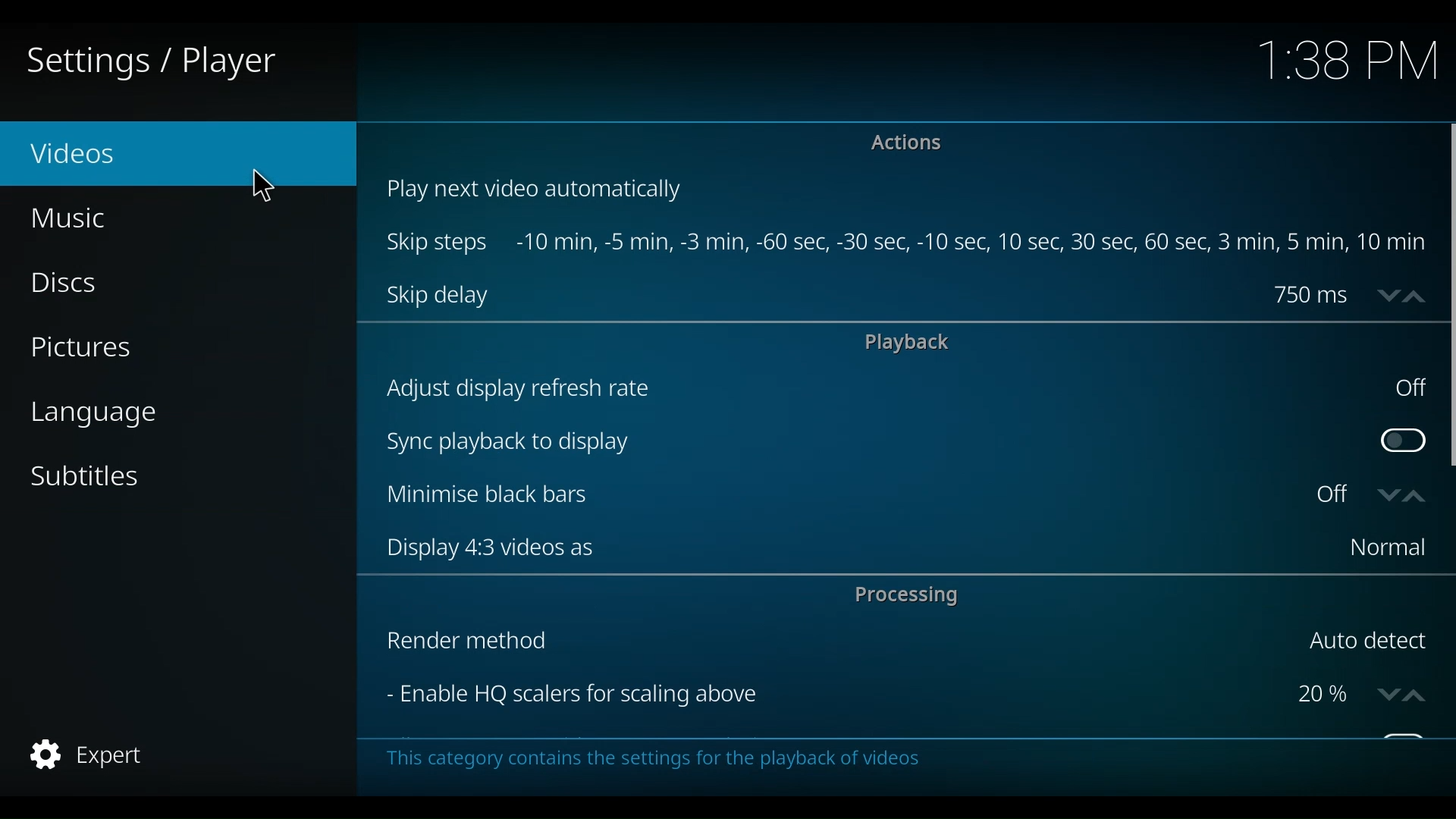 The width and height of the screenshot is (1456, 819). I want to click on Normal, so click(1385, 549).